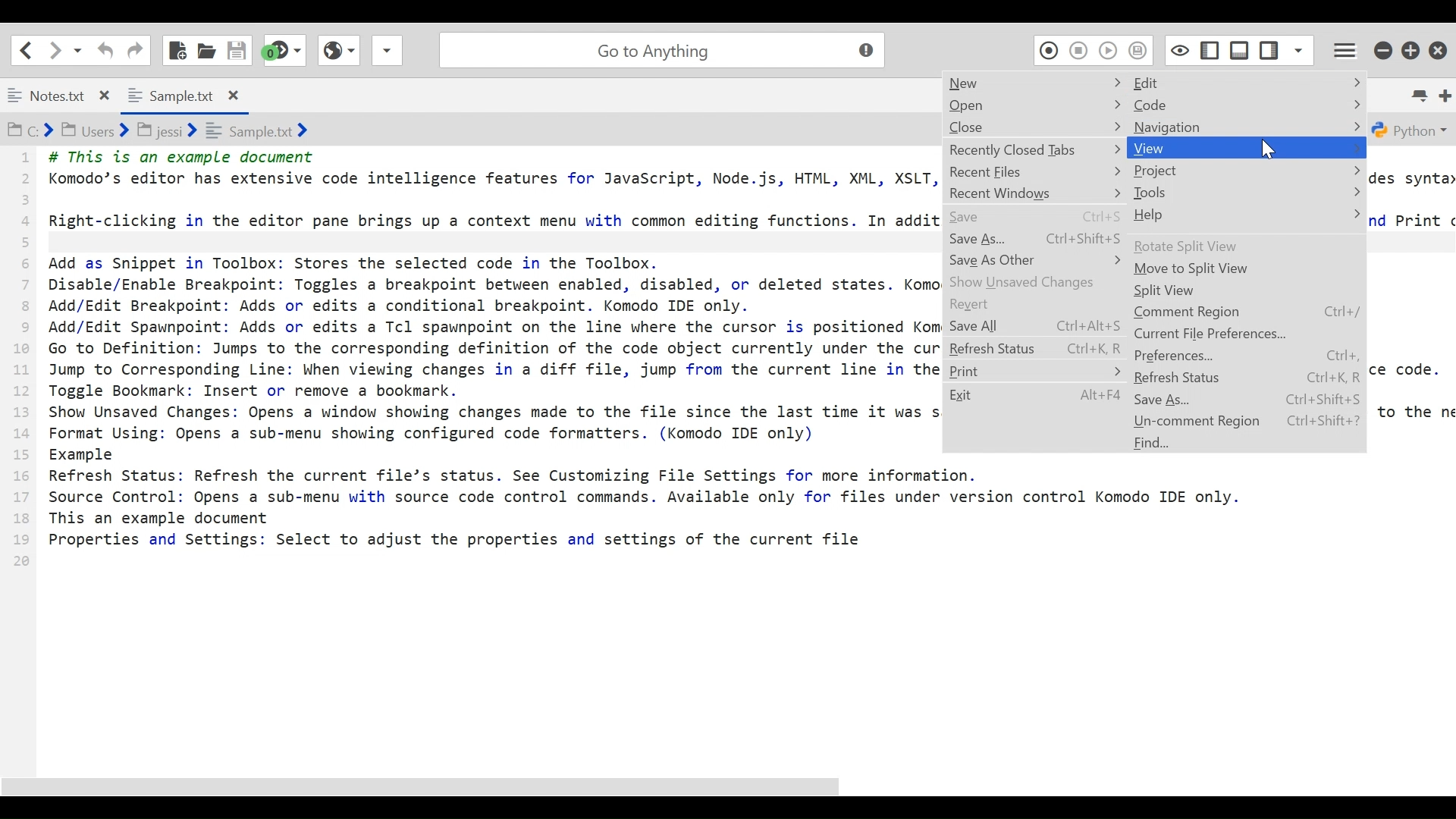 The height and width of the screenshot is (819, 1456). What do you see at coordinates (1047, 50) in the screenshot?
I see `Recording Macro` at bounding box center [1047, 50].